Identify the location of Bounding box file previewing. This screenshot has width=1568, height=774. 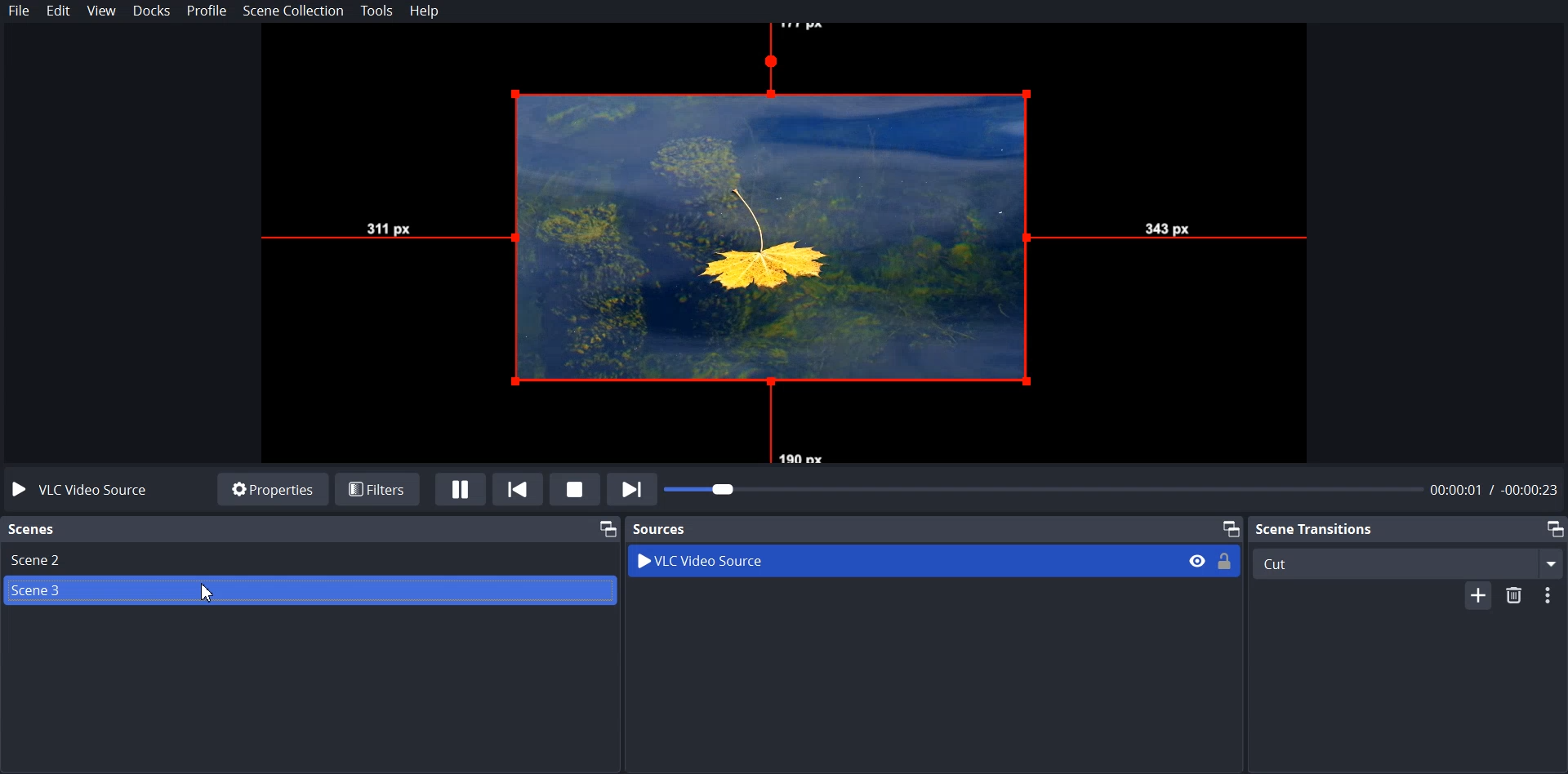
(784, 244).